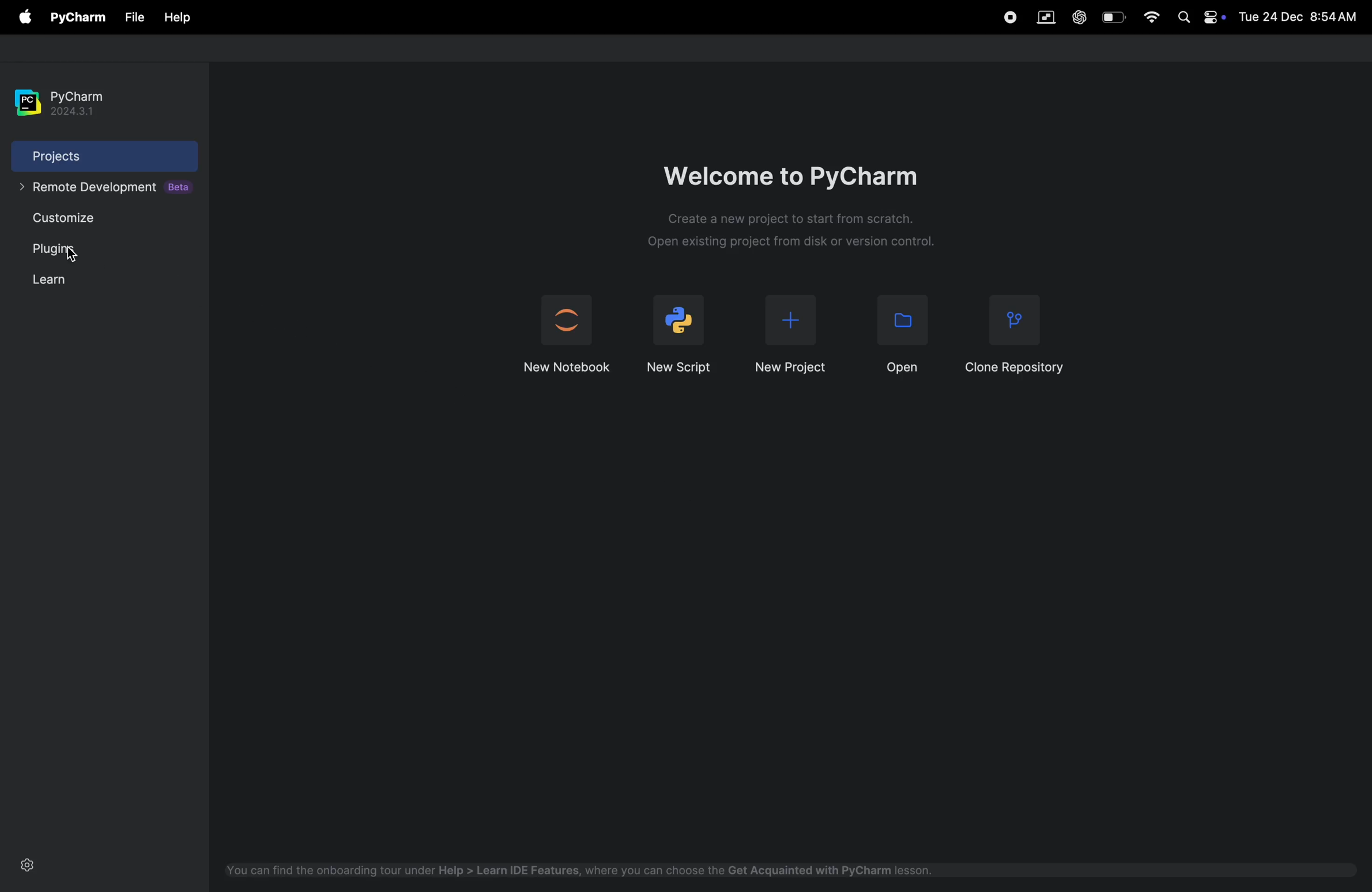 The height and width of the screenshot is (892, 1372). Describe the element at coordinates (78, 255) in the screenshot. I see `cursor` at that location.